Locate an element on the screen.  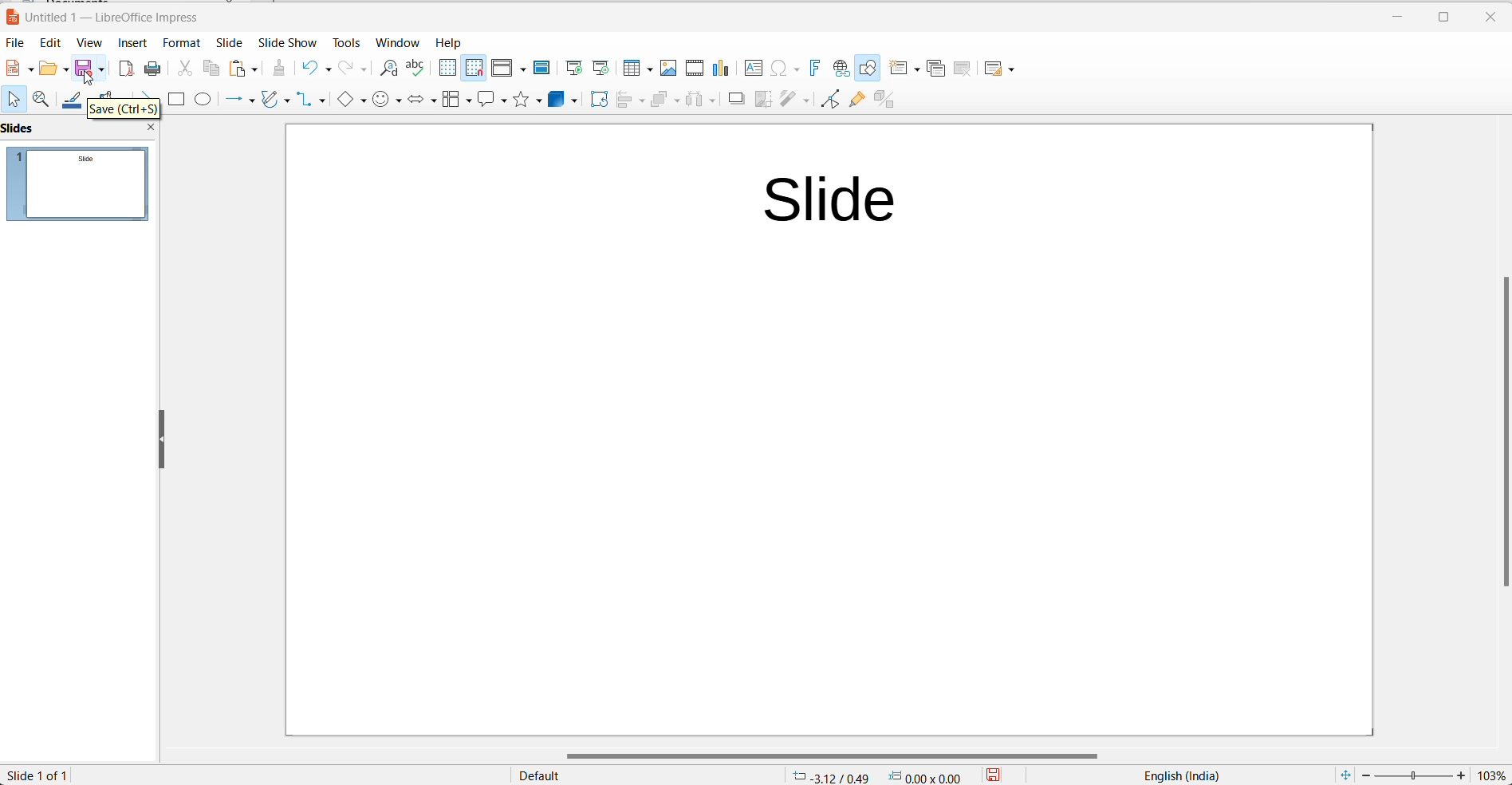
slide is located at coordinates (226, 42).